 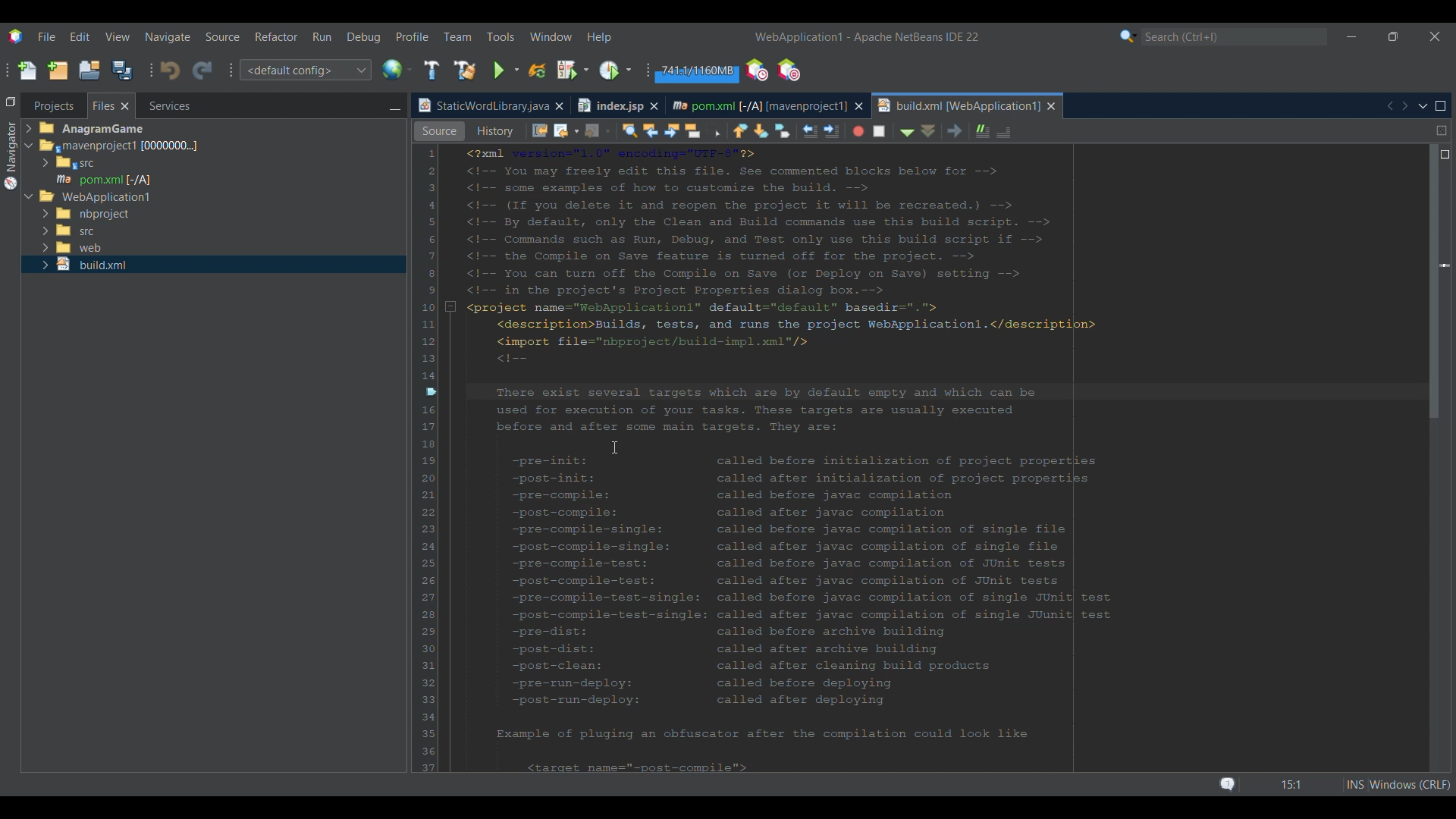 I want to click on Current tab highlighted, so click(x=758, y=104).